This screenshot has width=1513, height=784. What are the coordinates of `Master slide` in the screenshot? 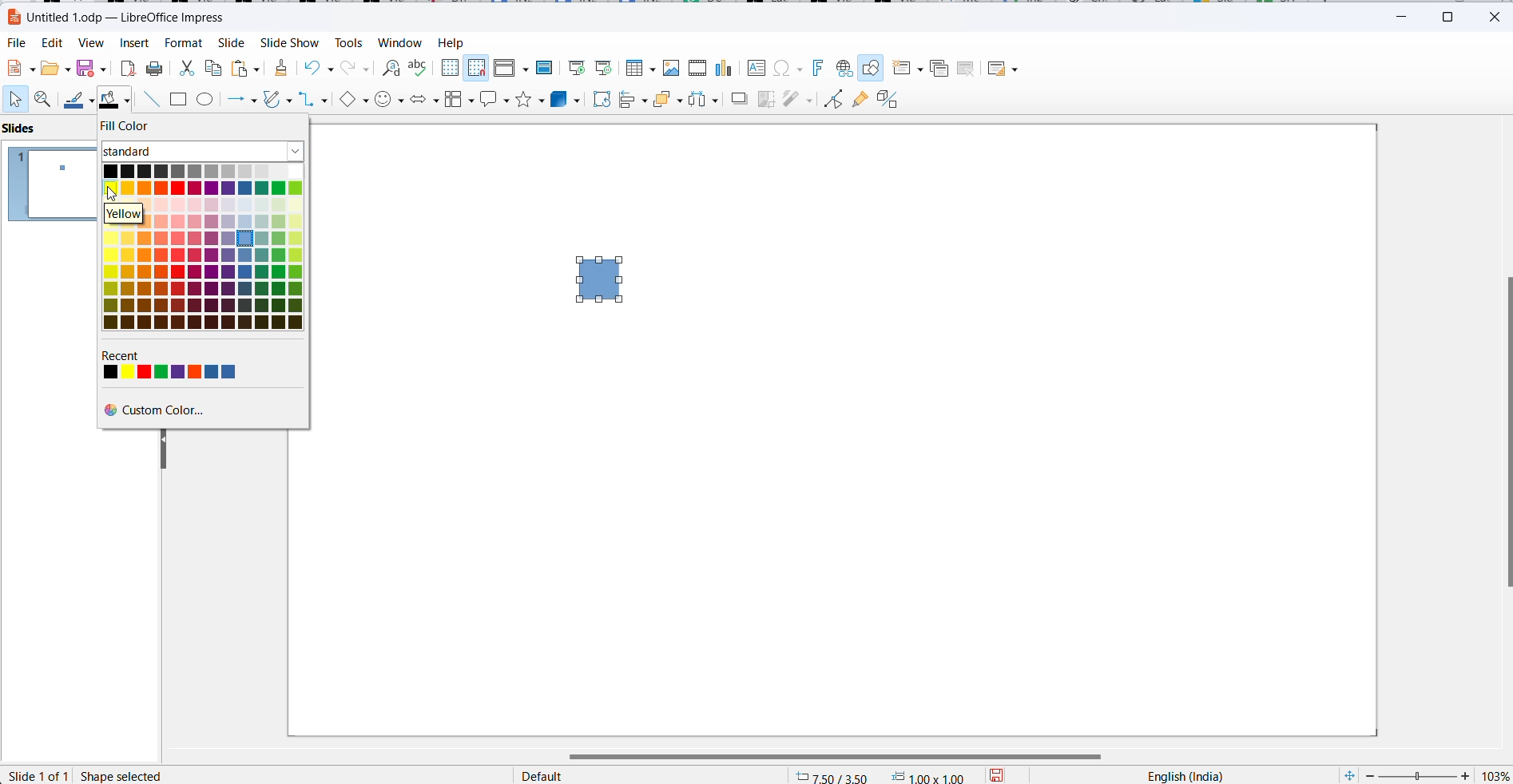 It's located at (548, 67).